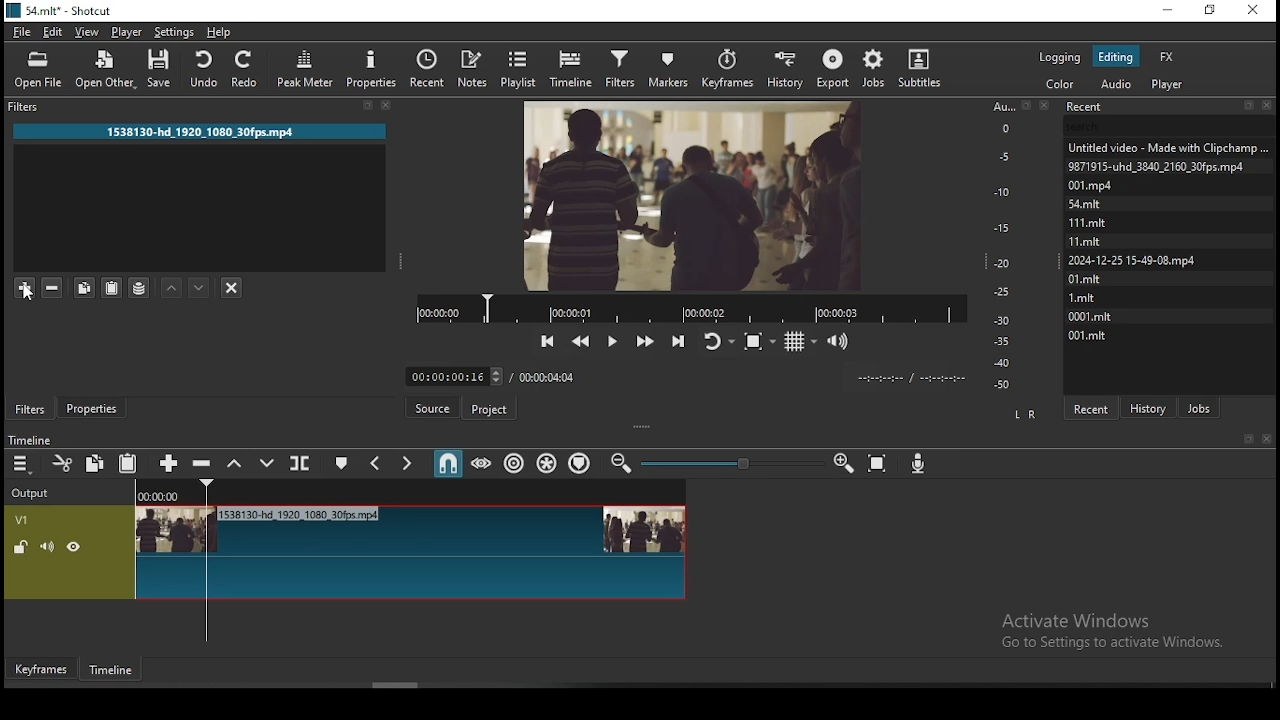 The image size is (1280, 720). I want to click on zoom timeline out, so click(843, 464).